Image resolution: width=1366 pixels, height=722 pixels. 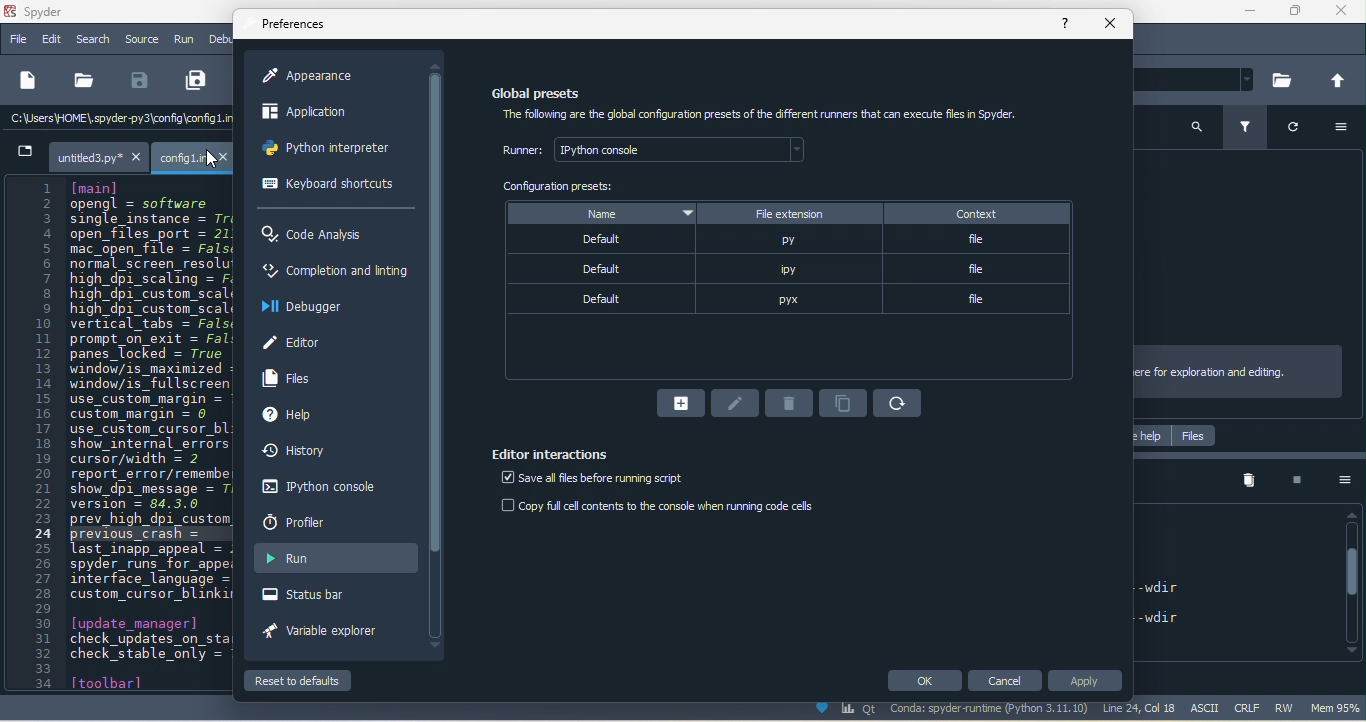 What do you see at coordinates (775, 114) in the screenshot?
I see `global preset text` at bounding box center [775, 114].